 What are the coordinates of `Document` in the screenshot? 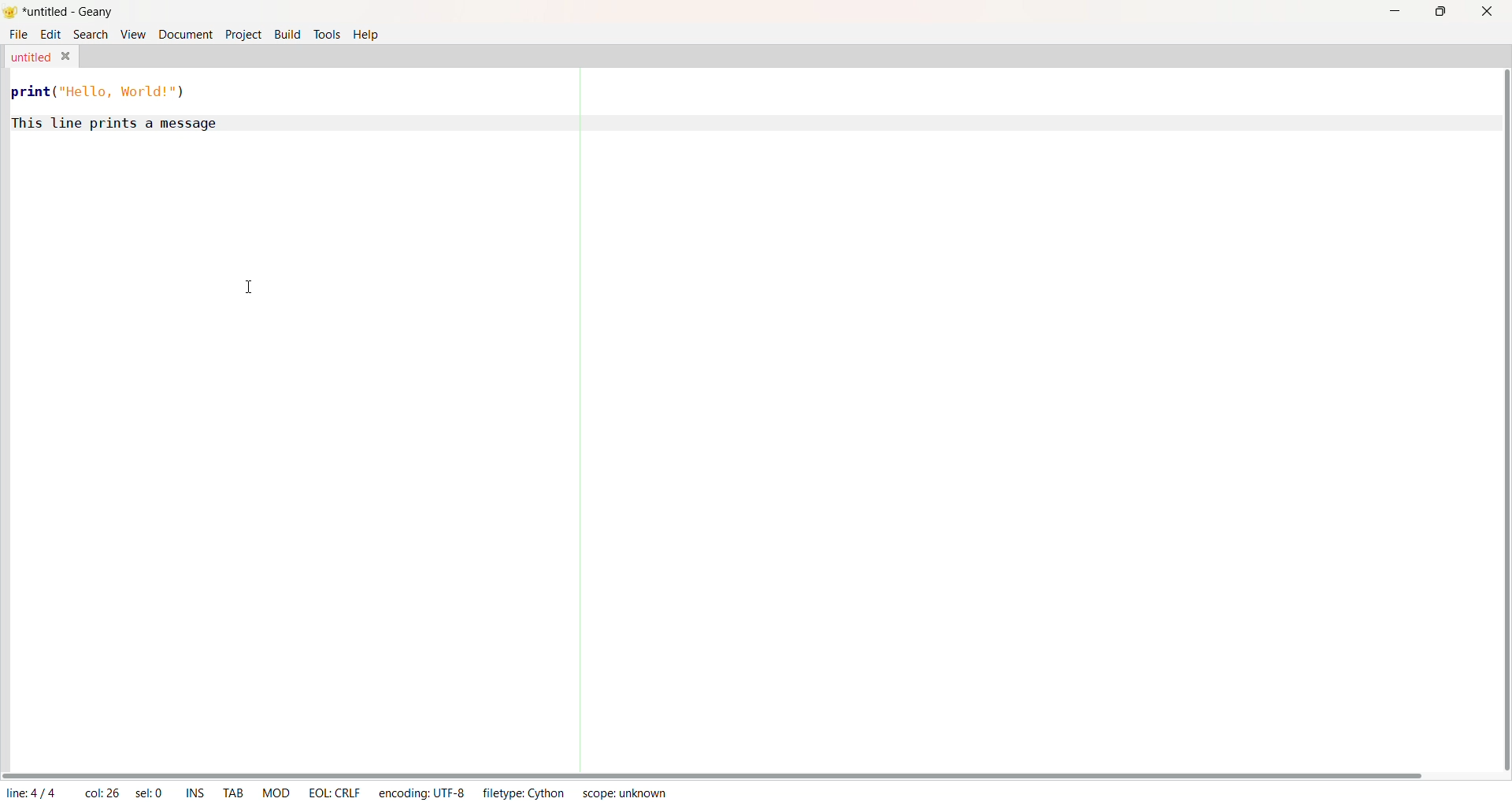 It's located at (186, 35).